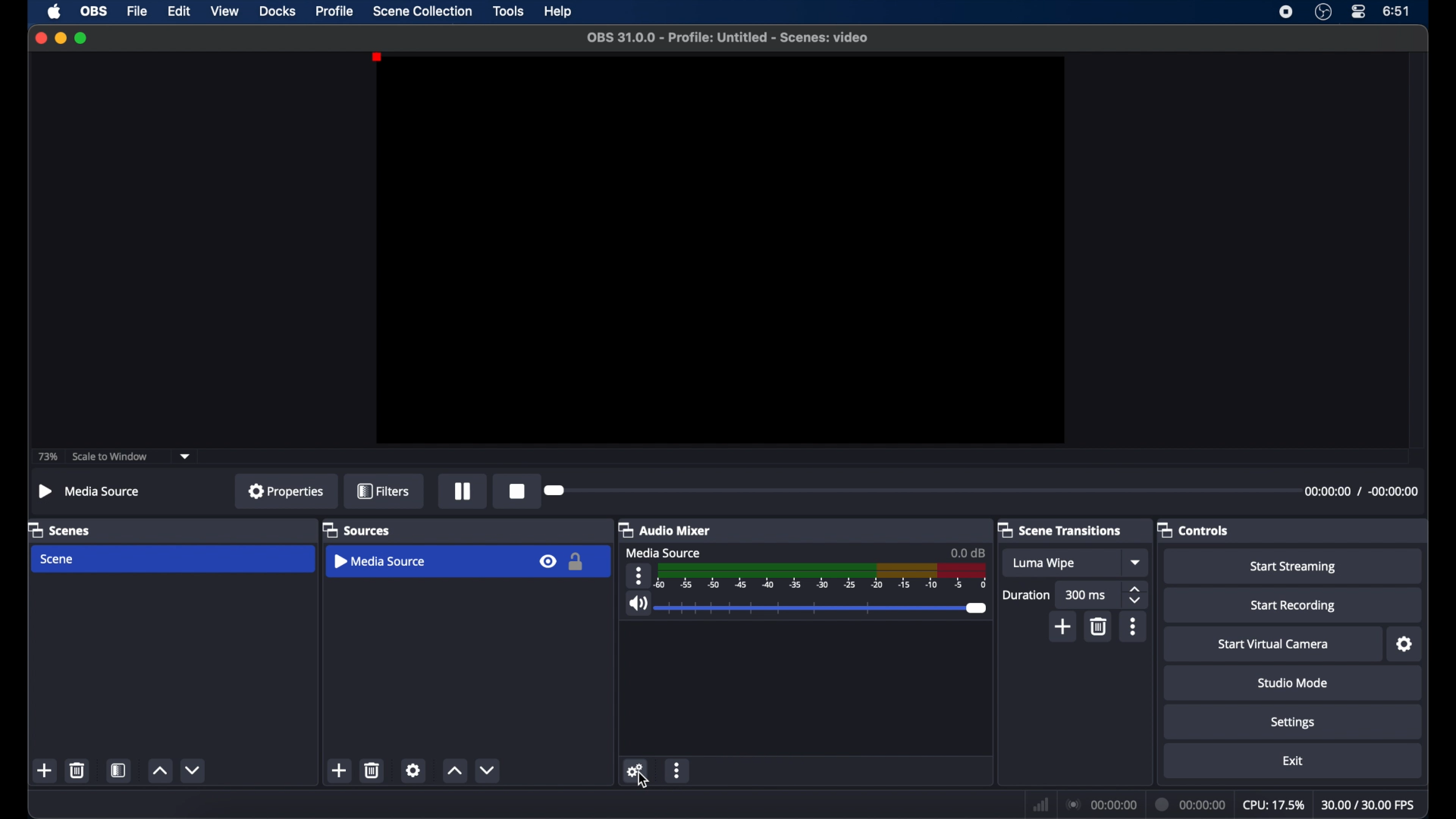 The image size is (1456, 819). Describe the element at coordinates (195, 770) in the screenshot. I see `decrement` at that location.